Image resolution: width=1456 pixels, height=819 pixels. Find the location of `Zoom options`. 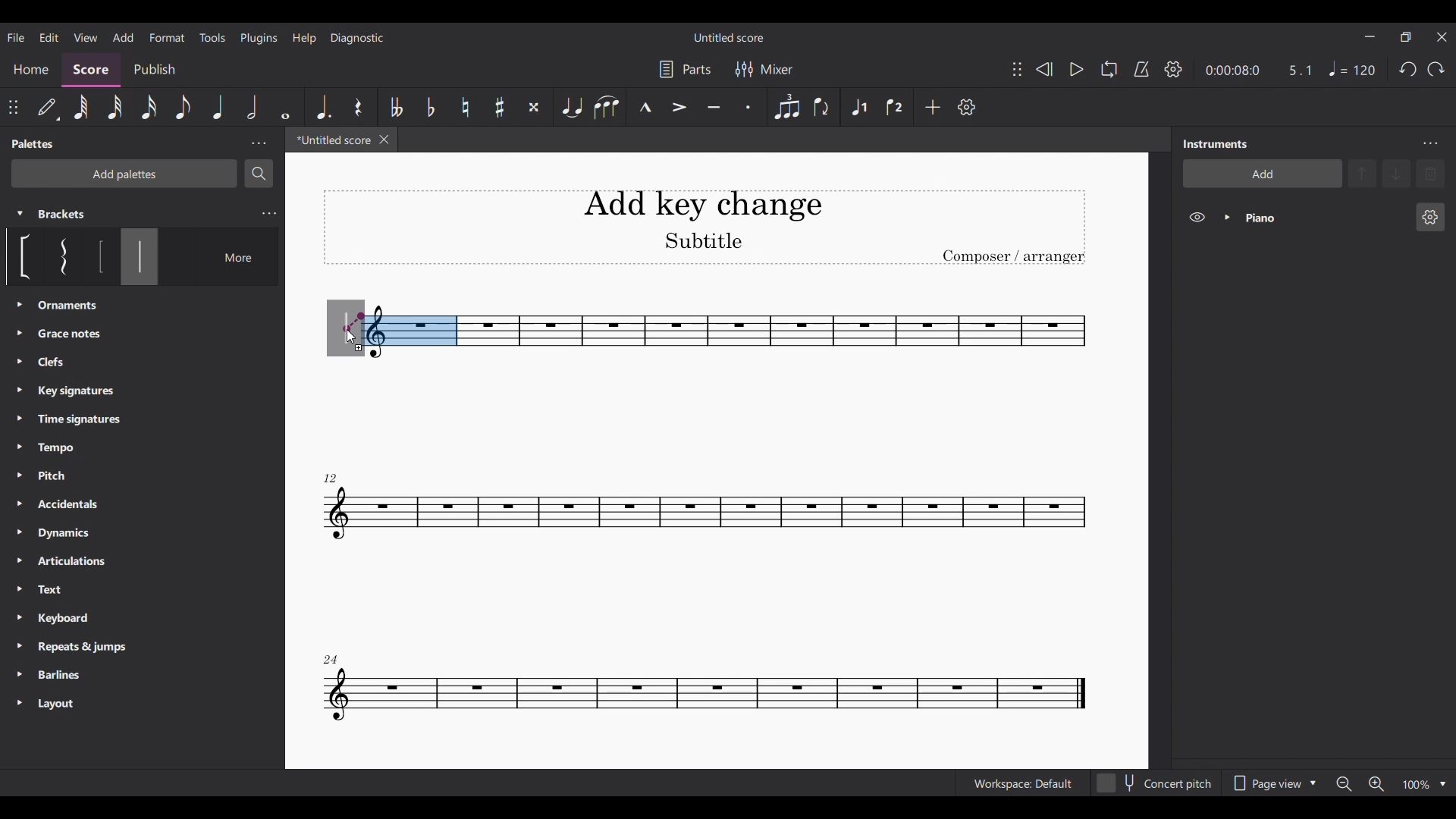

Zoom options is located at coordinates (1442, 785).